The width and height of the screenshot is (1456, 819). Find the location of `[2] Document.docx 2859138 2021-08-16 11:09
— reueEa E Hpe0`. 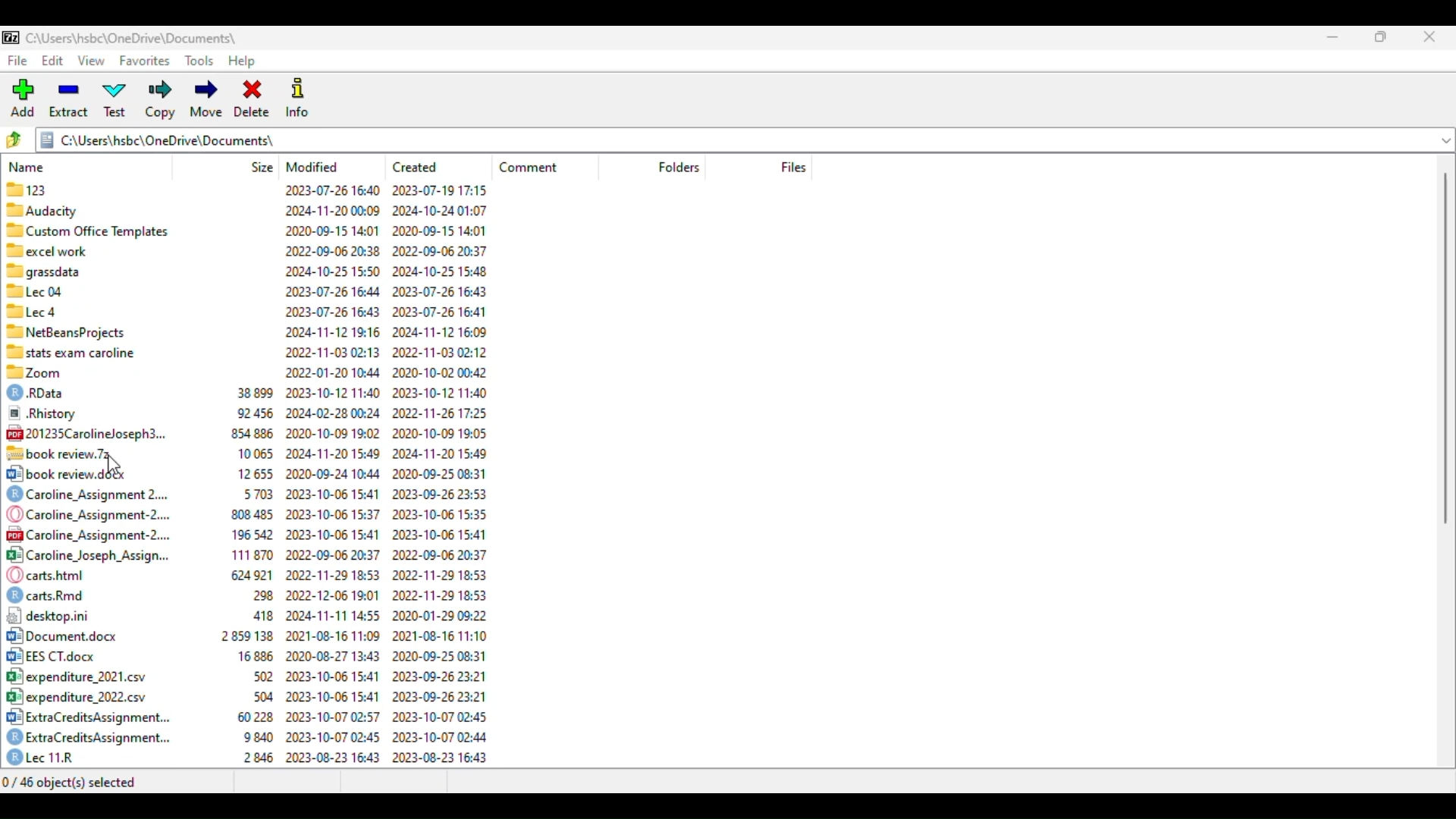

[2] Document.docx 2859138 2021-08-16 11:09
— reueEa E Hpe0 is located at coordinates (248, 635).